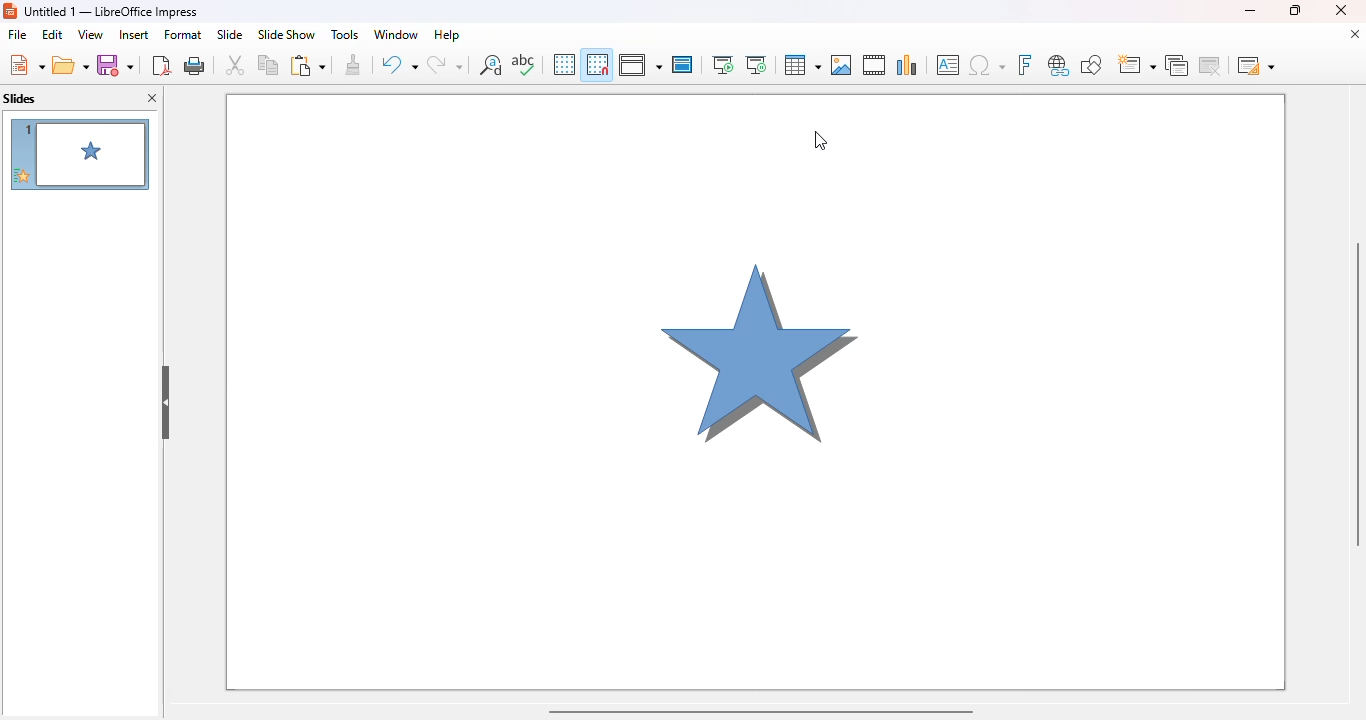  Describe the element at coordinates (875, 65) in the screenshot. I see `insert audio or video` at that location.